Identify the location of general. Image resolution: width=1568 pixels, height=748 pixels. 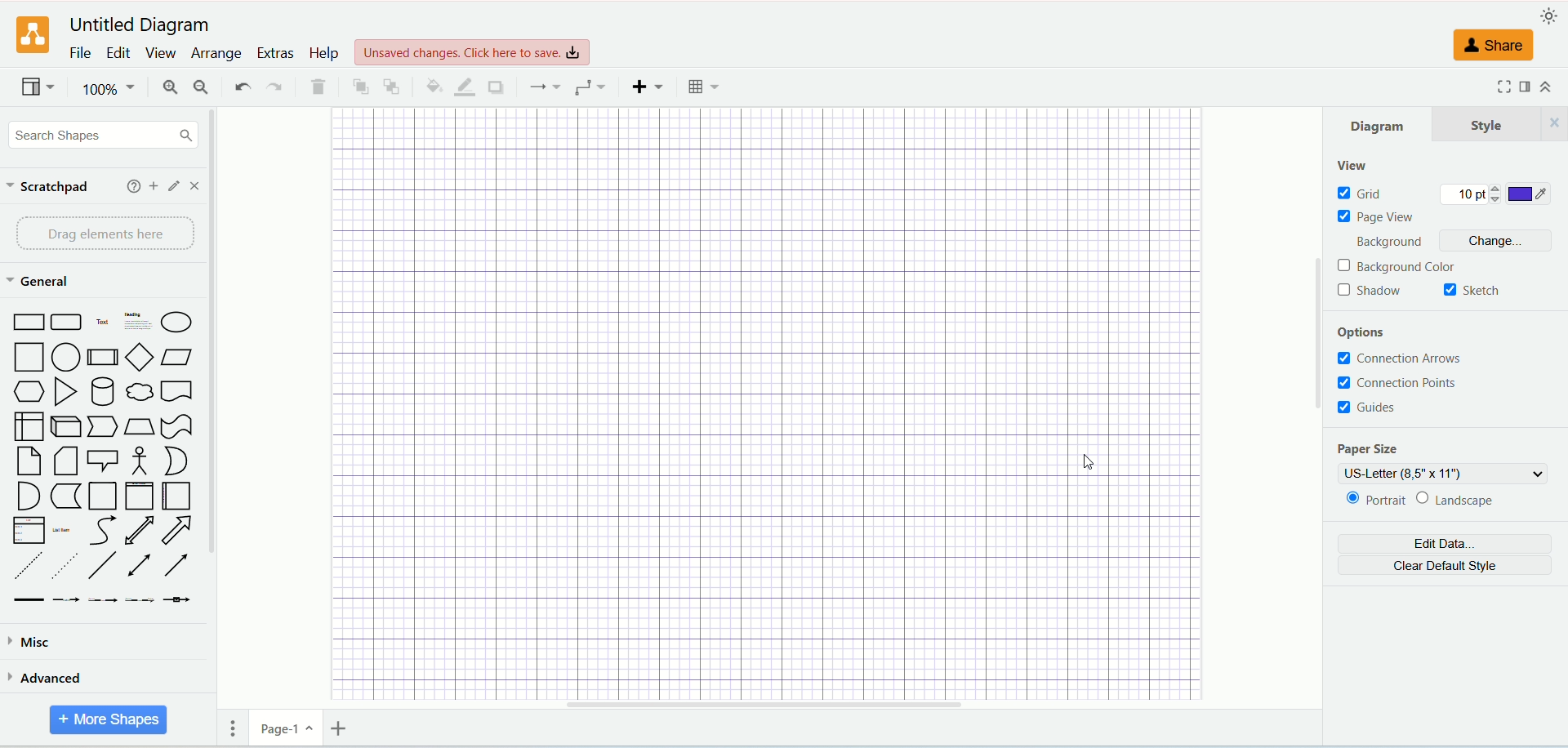
(42, 283).